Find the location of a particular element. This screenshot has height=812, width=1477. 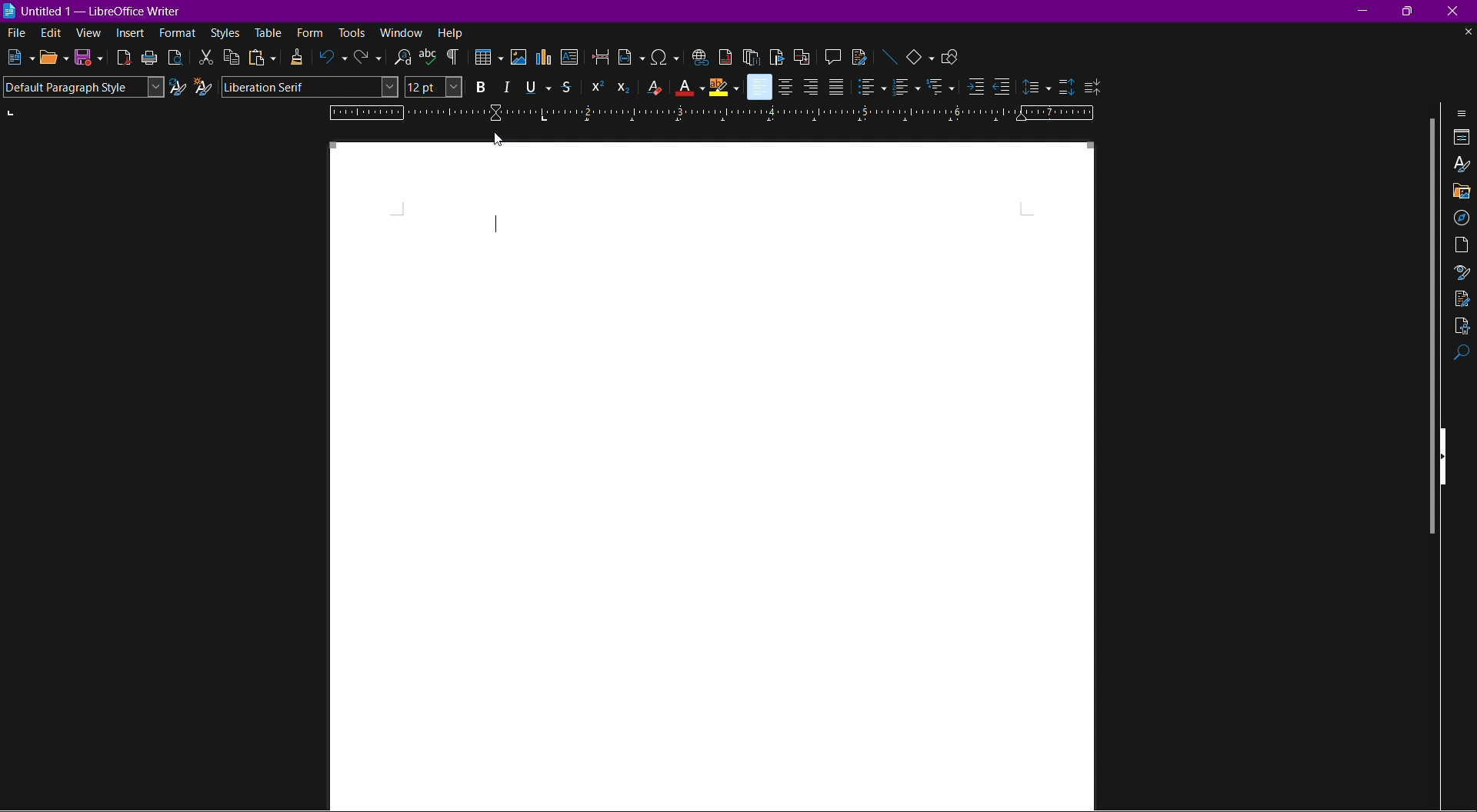

Character Highlighting Color is located at coordinates (724, 87).